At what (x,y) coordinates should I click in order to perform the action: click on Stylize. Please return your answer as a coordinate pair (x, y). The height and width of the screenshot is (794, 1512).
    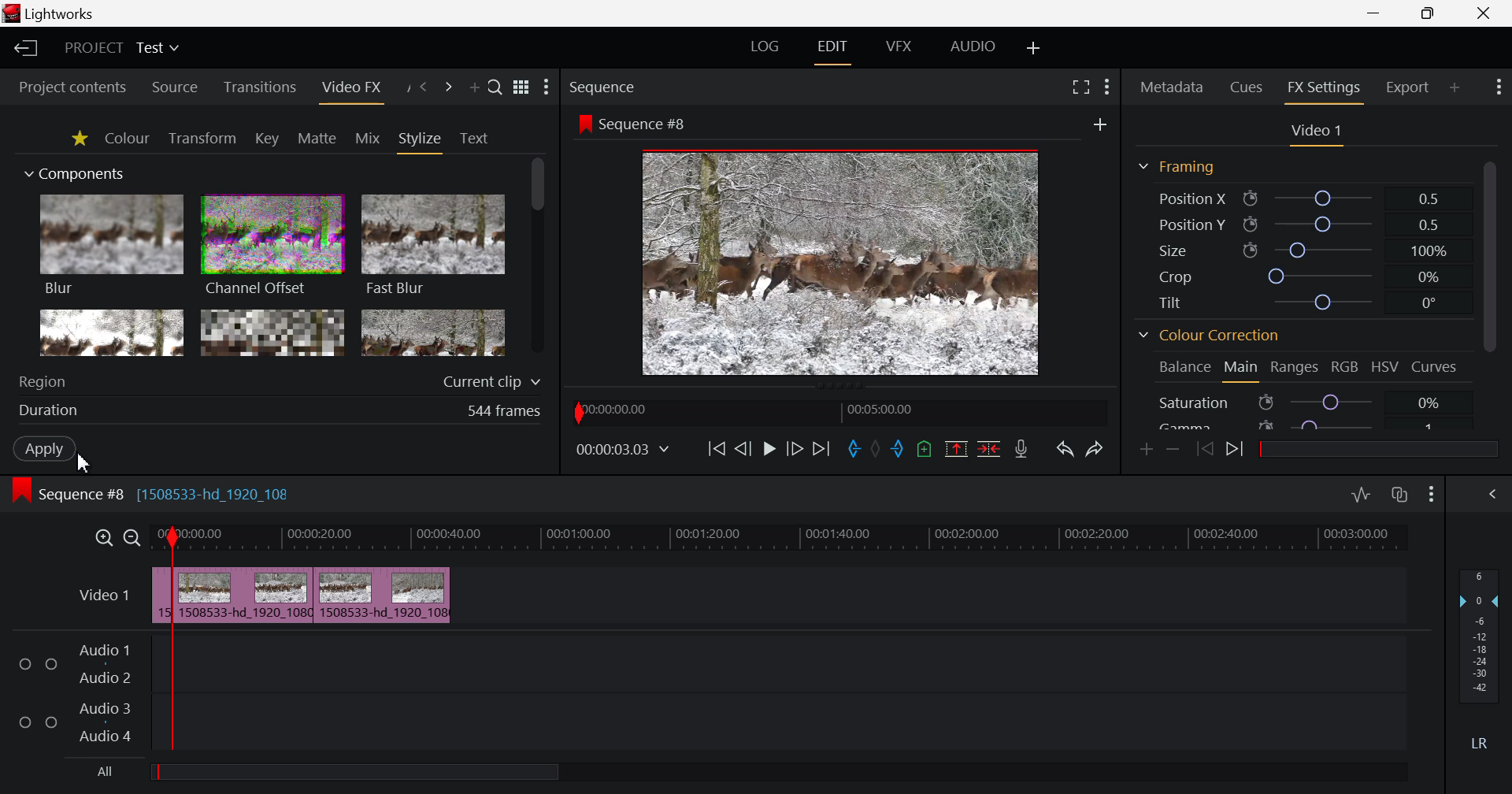
    Looking at the image, I should click on (421, 141).